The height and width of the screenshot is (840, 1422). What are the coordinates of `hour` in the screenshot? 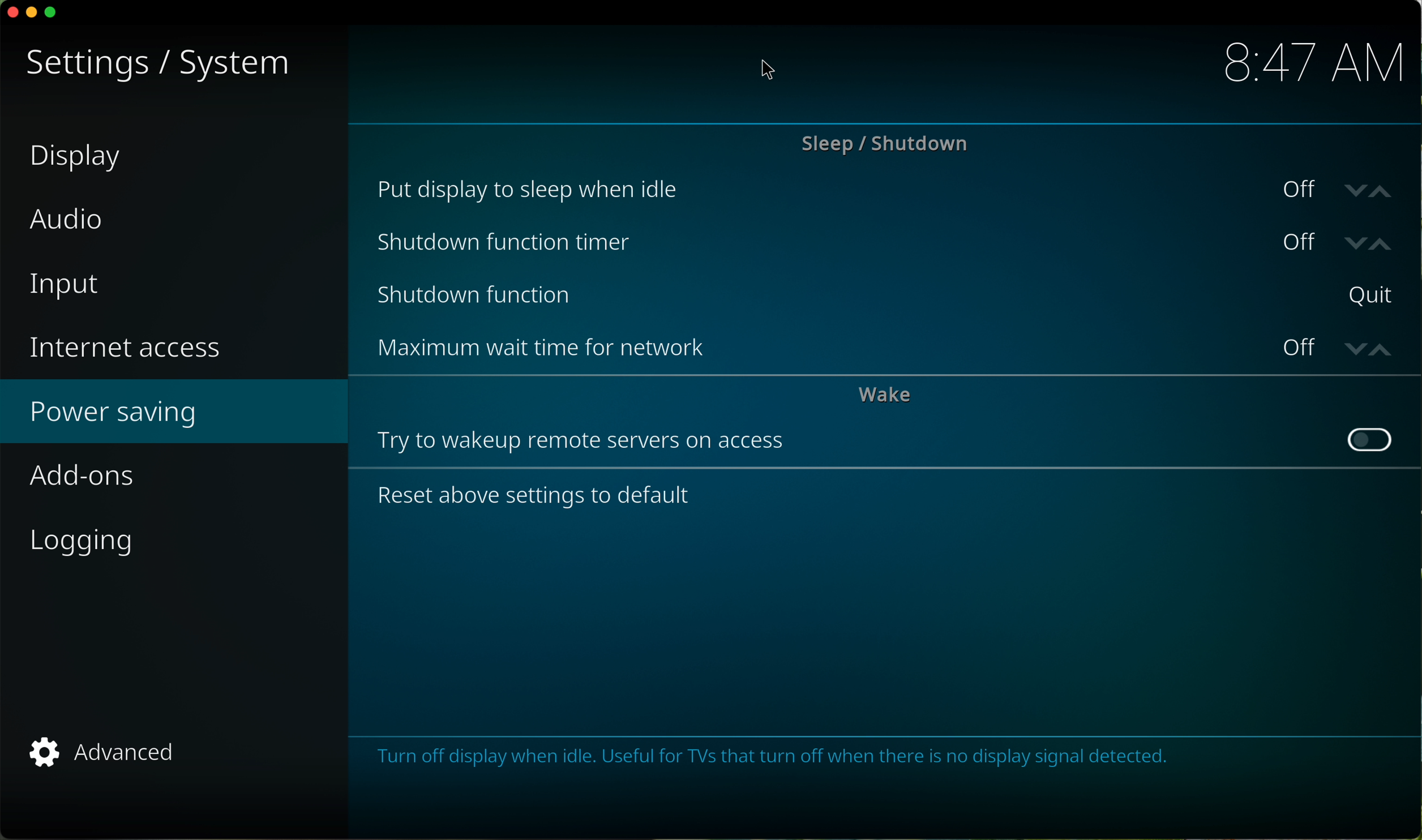 It's located at (1307, 64).